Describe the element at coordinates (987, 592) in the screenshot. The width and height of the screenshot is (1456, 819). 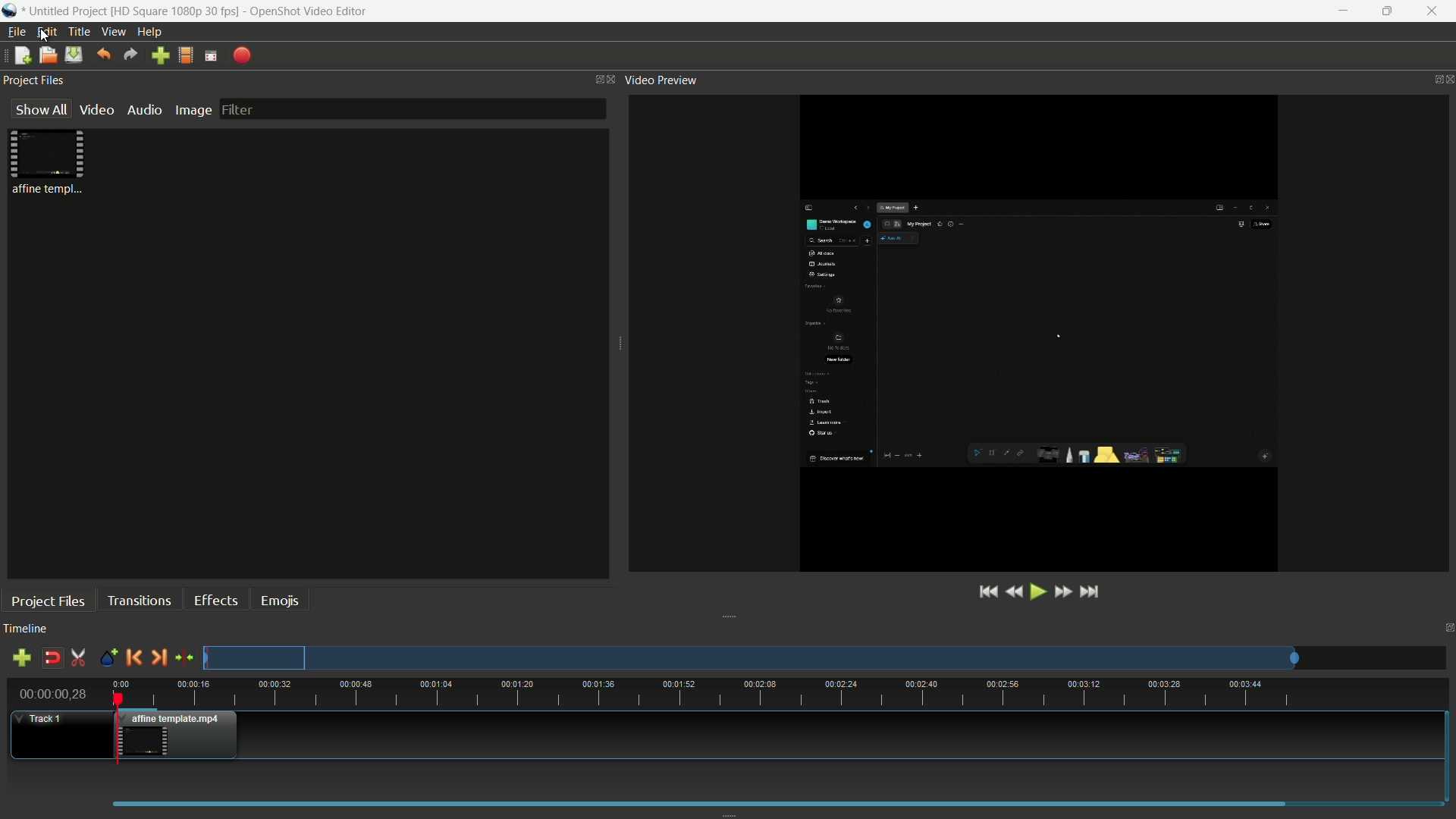
I see `jump to start` at that location.